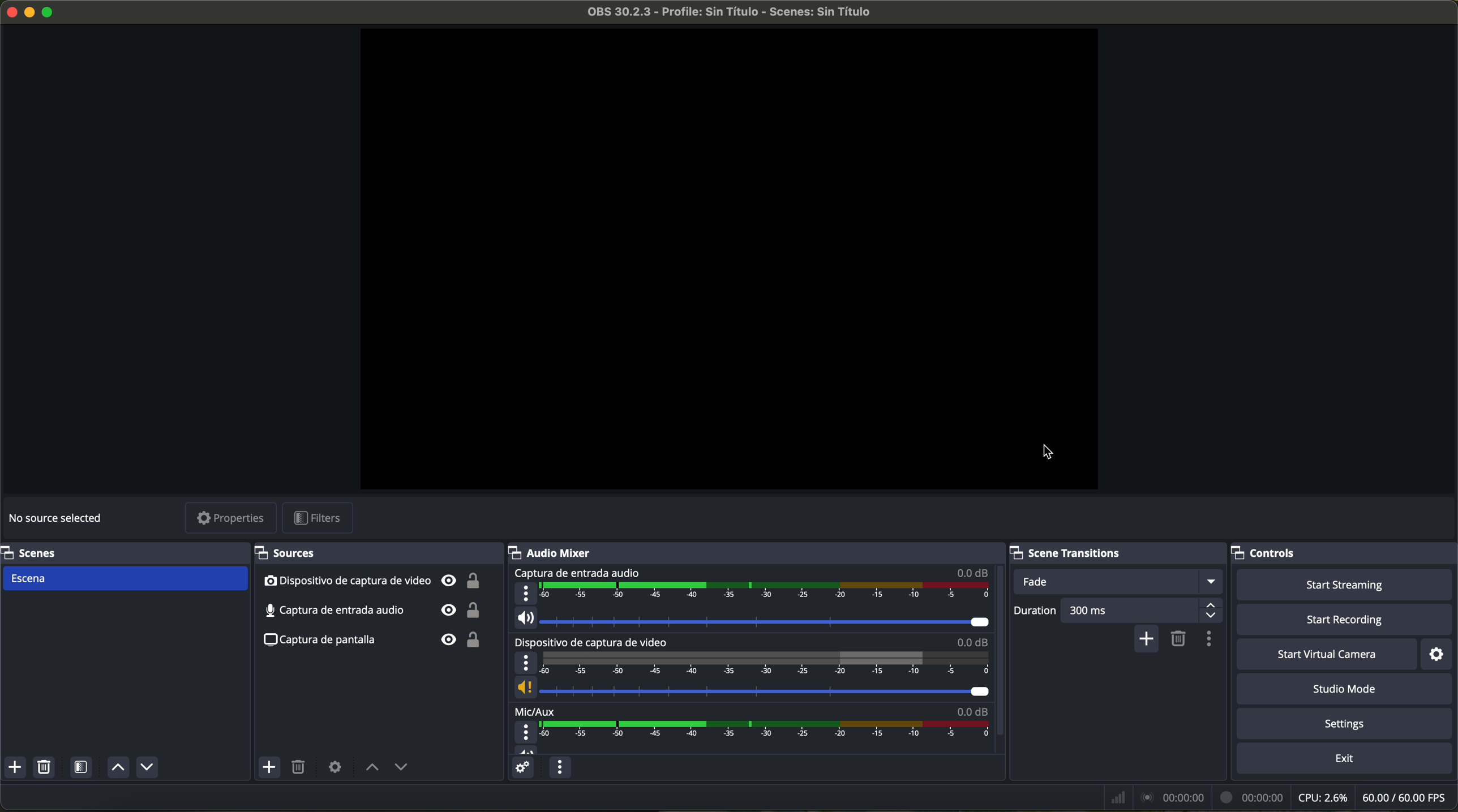 Image resolution: width=1458 pixels, height=812 pixels. What do you see at coordinates (301, 768) in the screenshot?
I see `remove selected source` at bounding box center [301, 768].